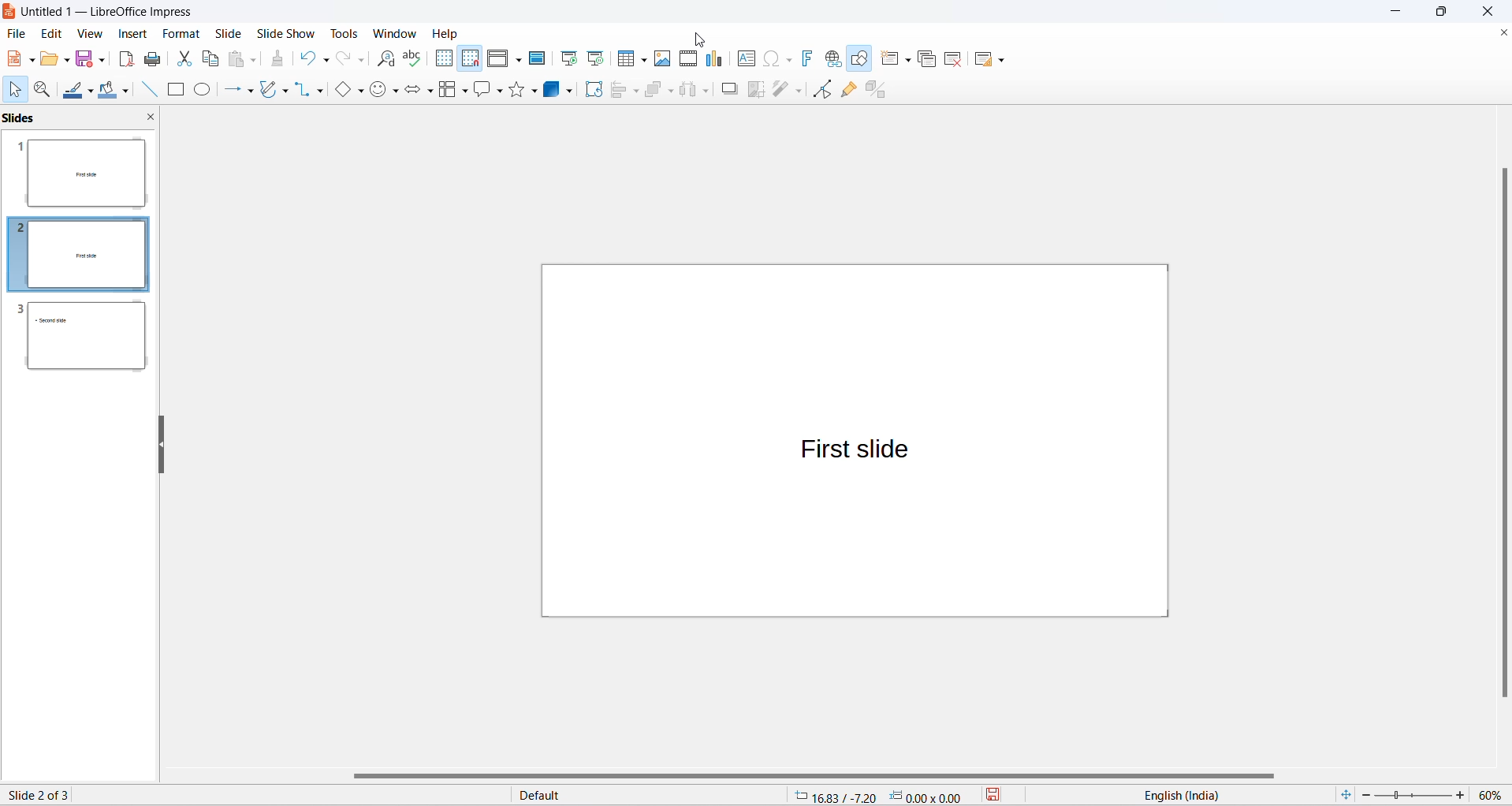 Image resolution: width=1512 pixels, height=806 pixels. Describe the element at coordinates (639, 796) in the screenshot. I see `slide master type` at that location.